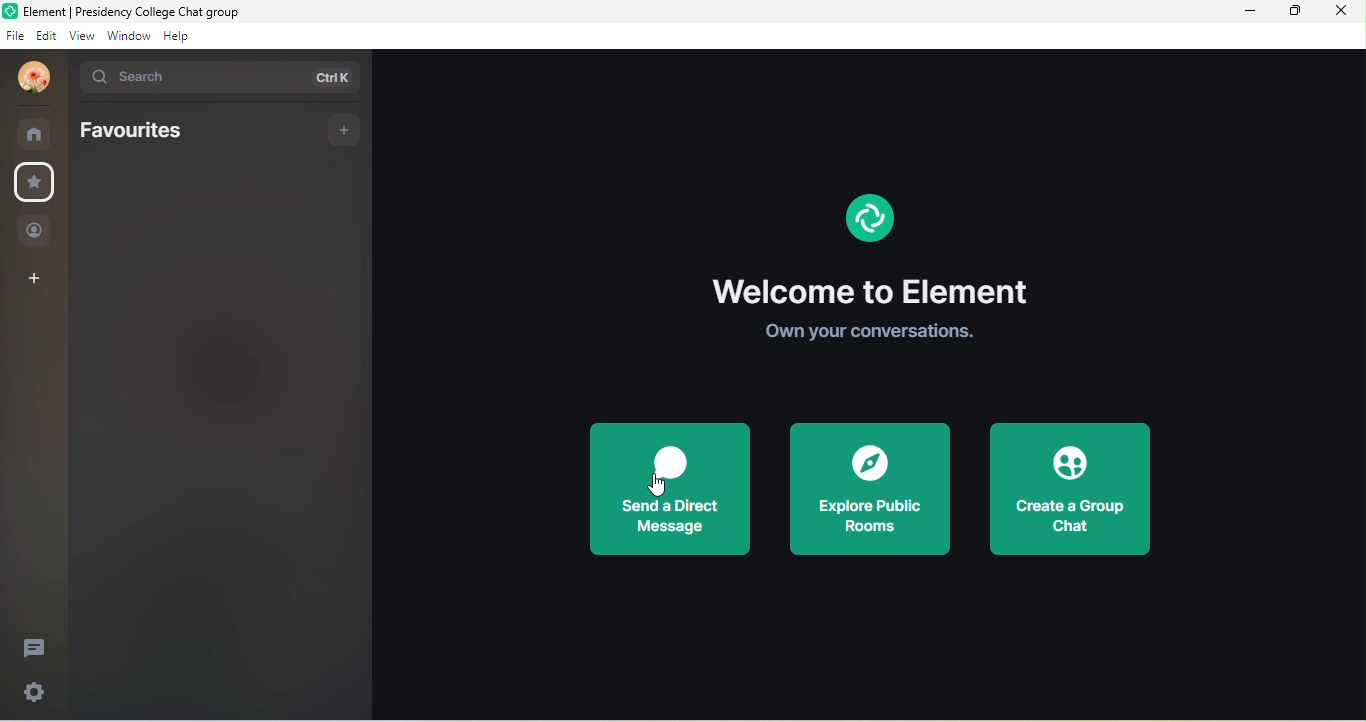 The height and width of the screenshot is (722, 1366). Describe the element at coordinates (35, 78) in the screenshot. I see `profile photo` at that location.